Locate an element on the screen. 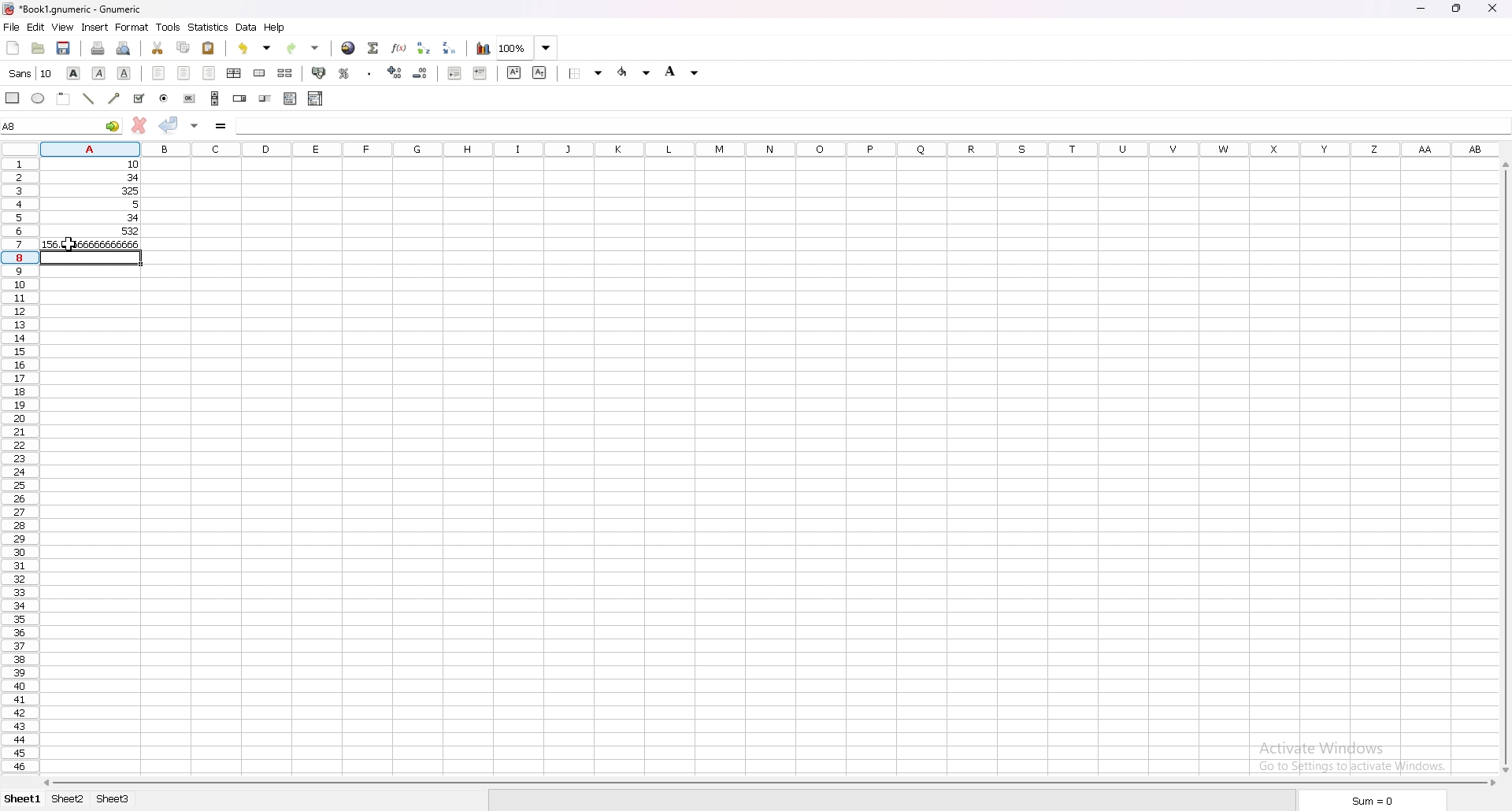  thousands separator is located at coordinates (369, 74).